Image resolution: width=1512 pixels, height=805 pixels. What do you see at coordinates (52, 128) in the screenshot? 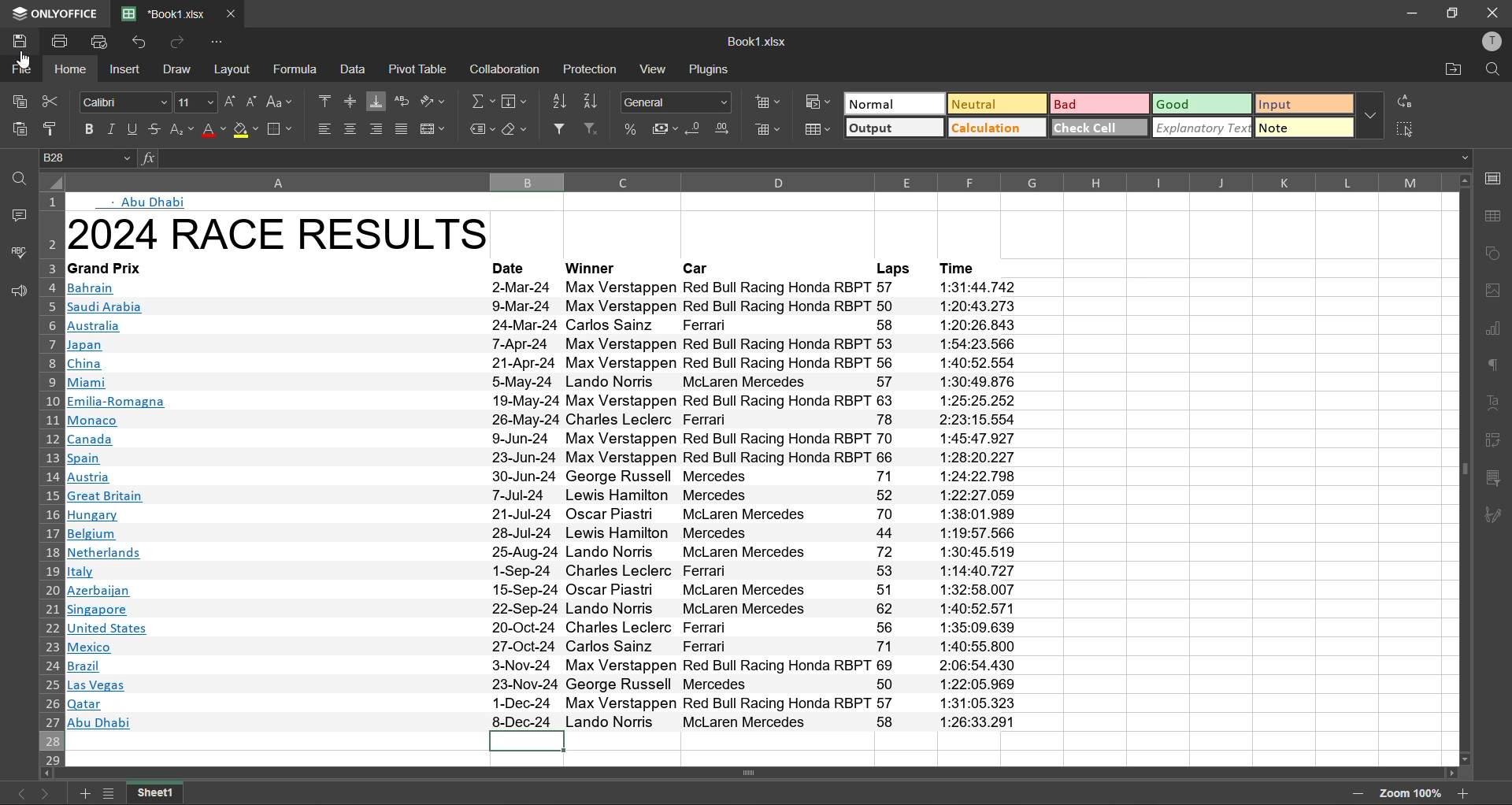
I see `copy style` at bounding box center [52, 128].